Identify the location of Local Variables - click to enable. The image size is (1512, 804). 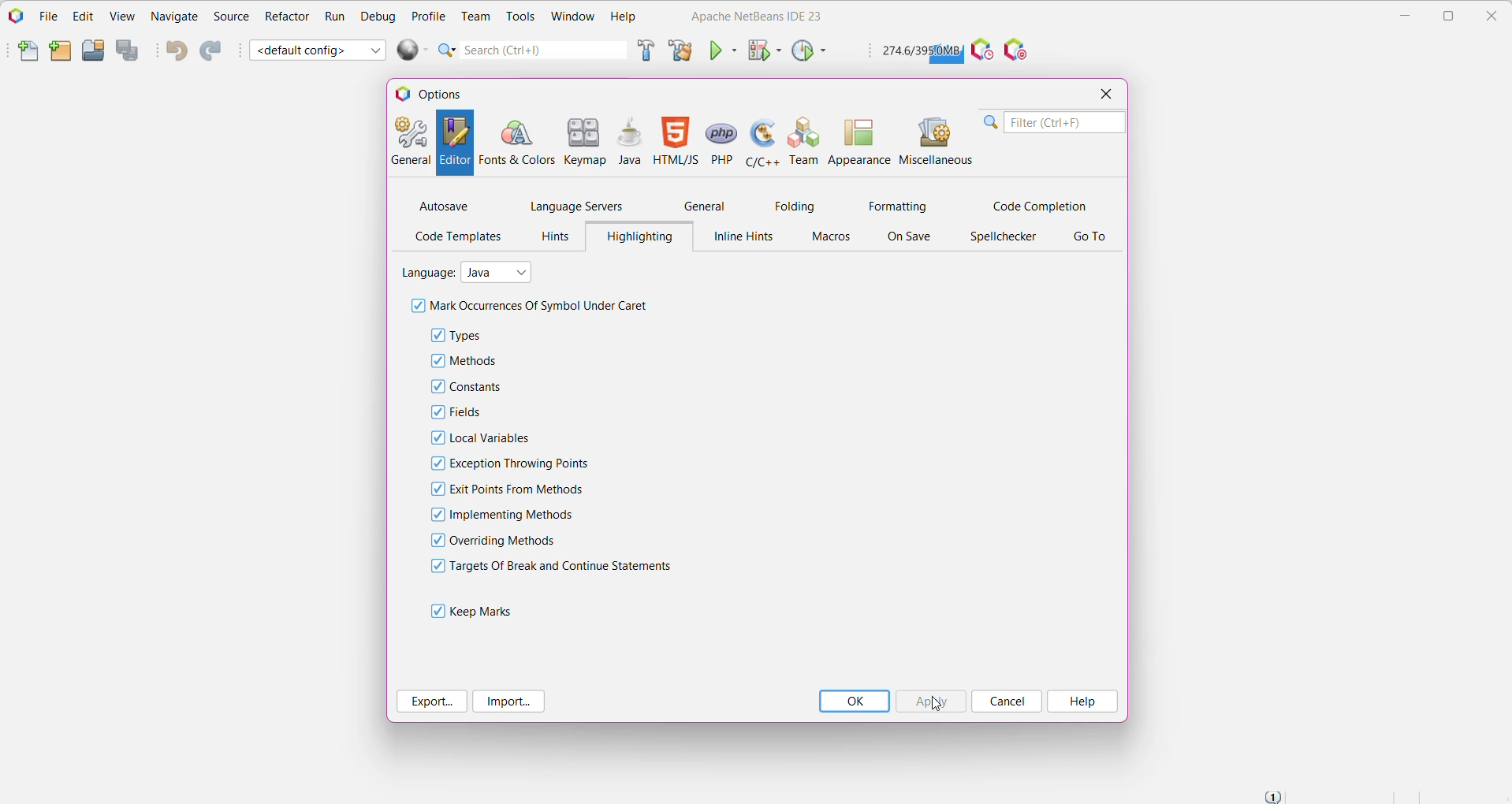
(494, 438).